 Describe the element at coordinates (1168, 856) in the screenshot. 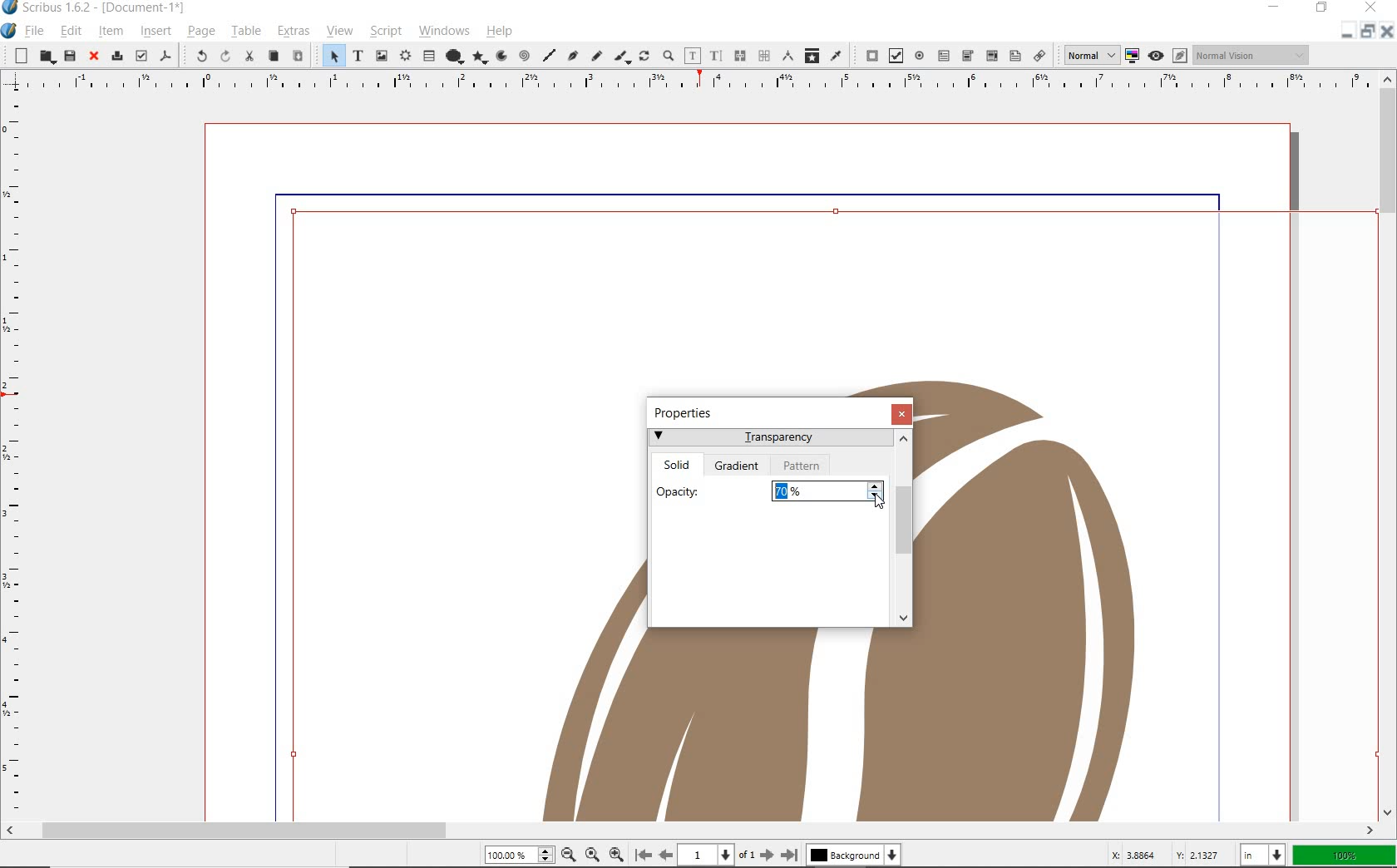

I see `cursor coordinates` at that location.